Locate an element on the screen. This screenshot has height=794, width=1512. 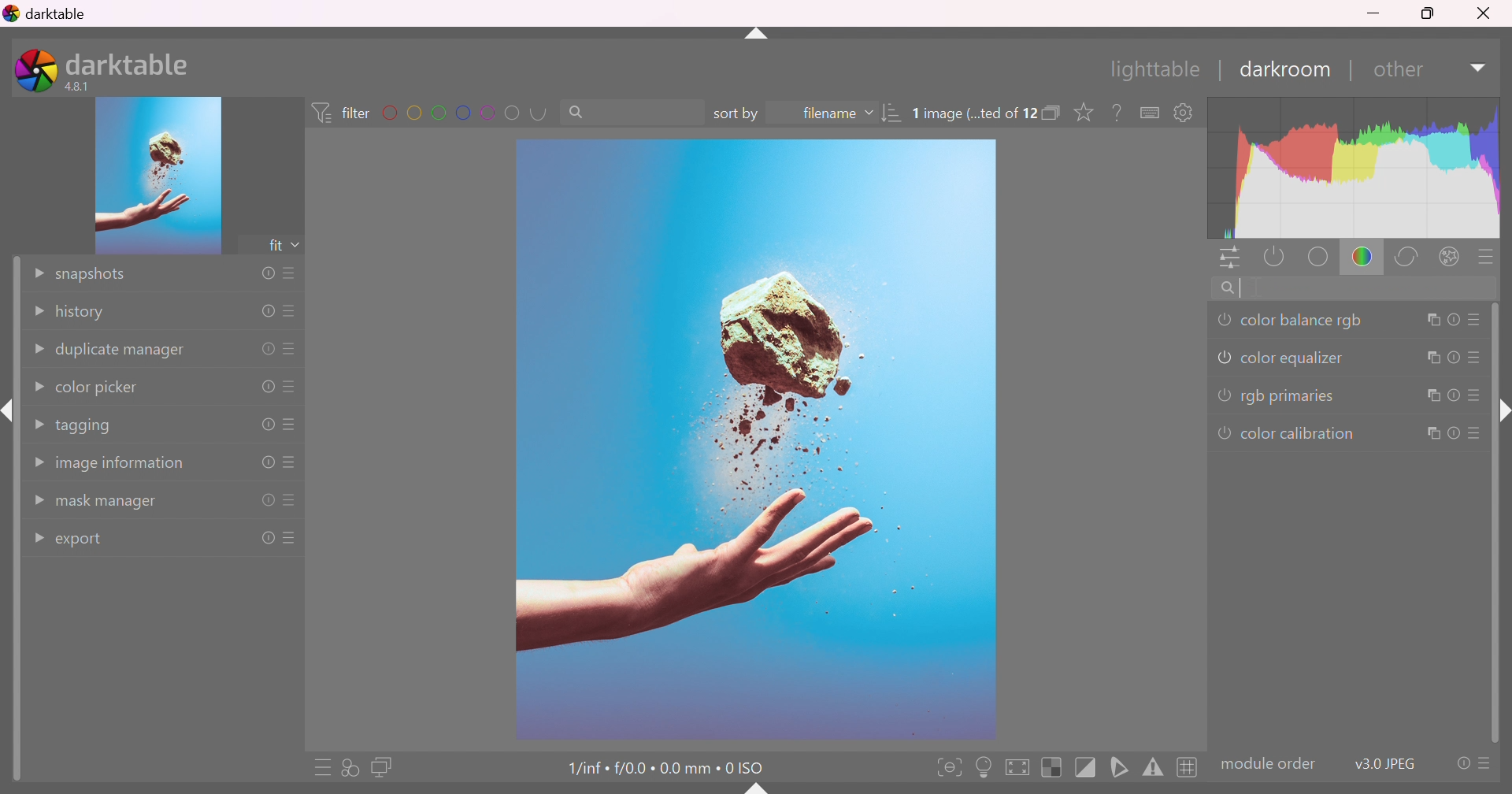
darktable is located at coordinates (50, 13).